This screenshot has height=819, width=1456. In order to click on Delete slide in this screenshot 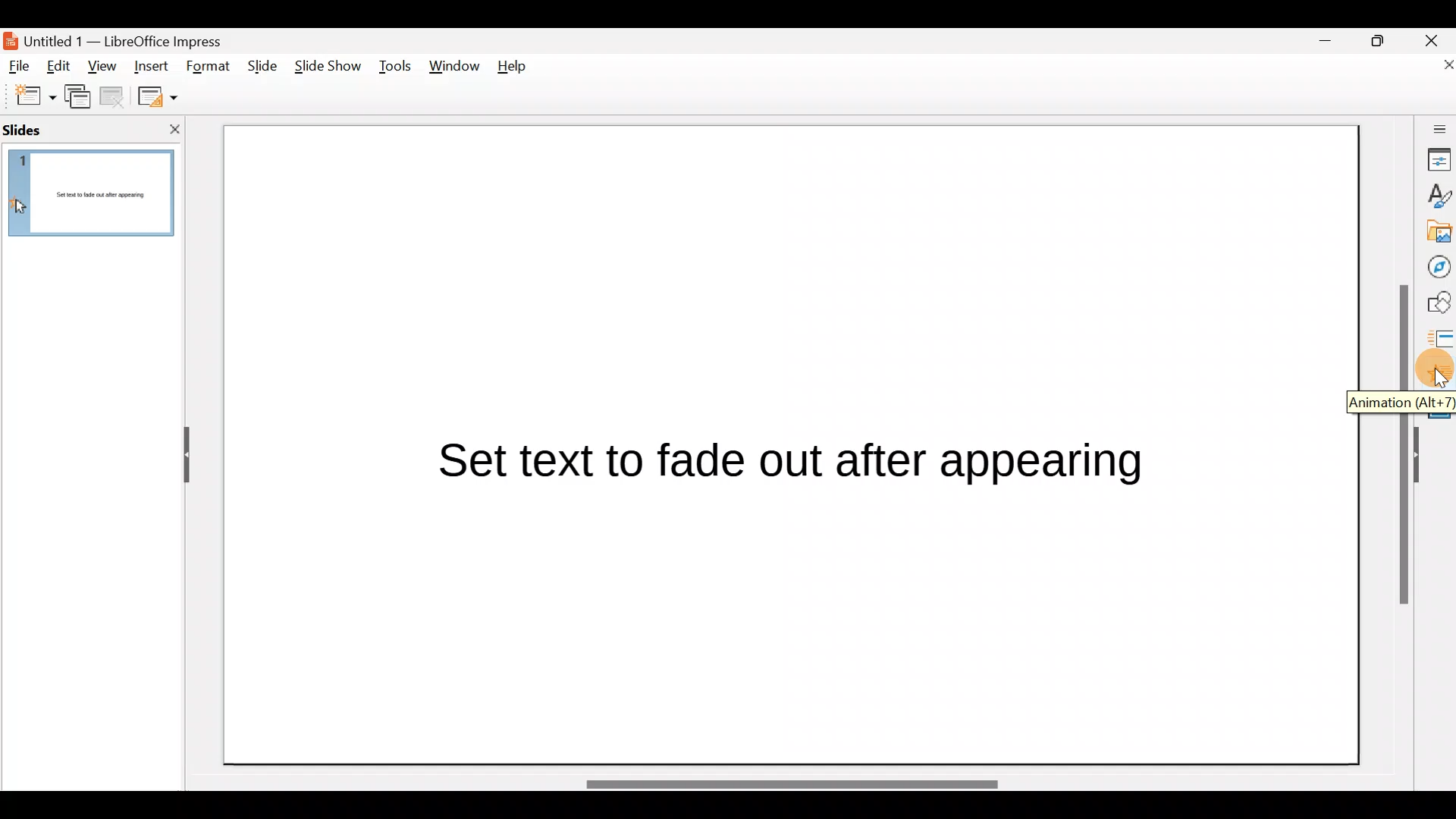, I will do `click(115, 99)`.